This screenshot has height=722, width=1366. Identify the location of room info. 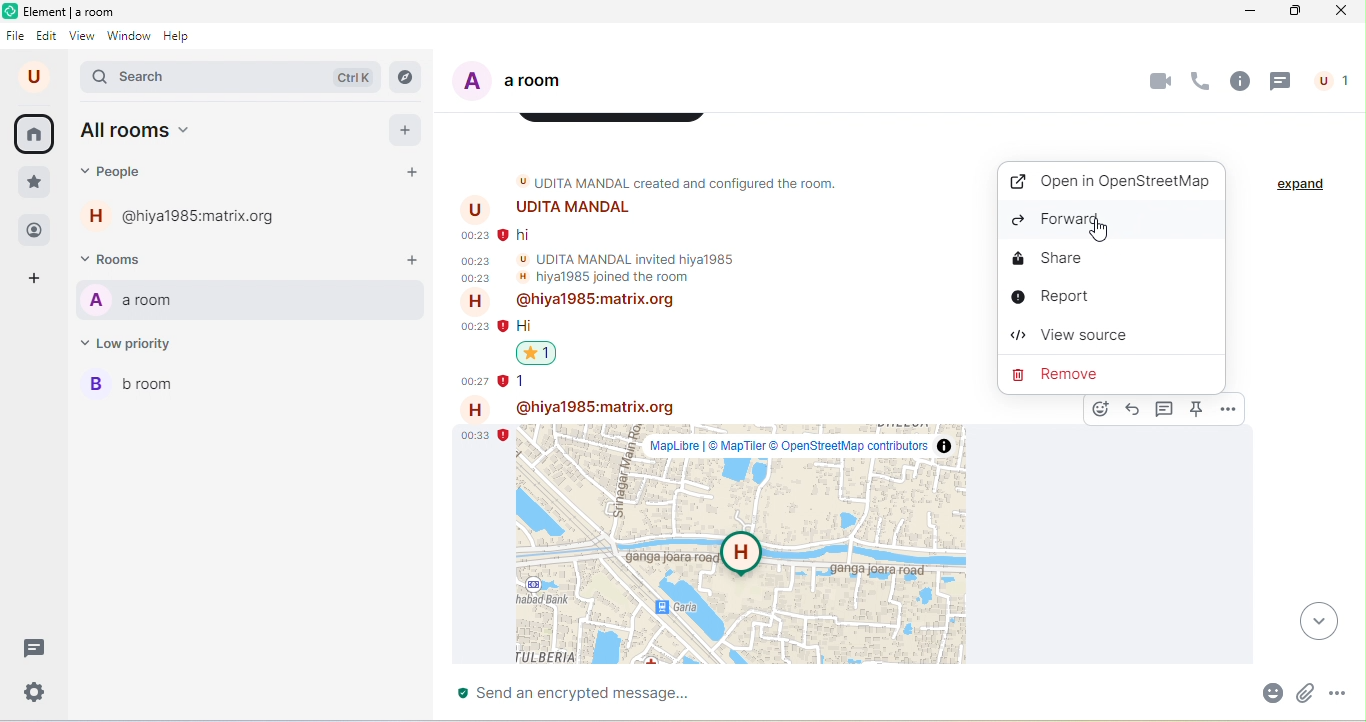
(1241, 81).